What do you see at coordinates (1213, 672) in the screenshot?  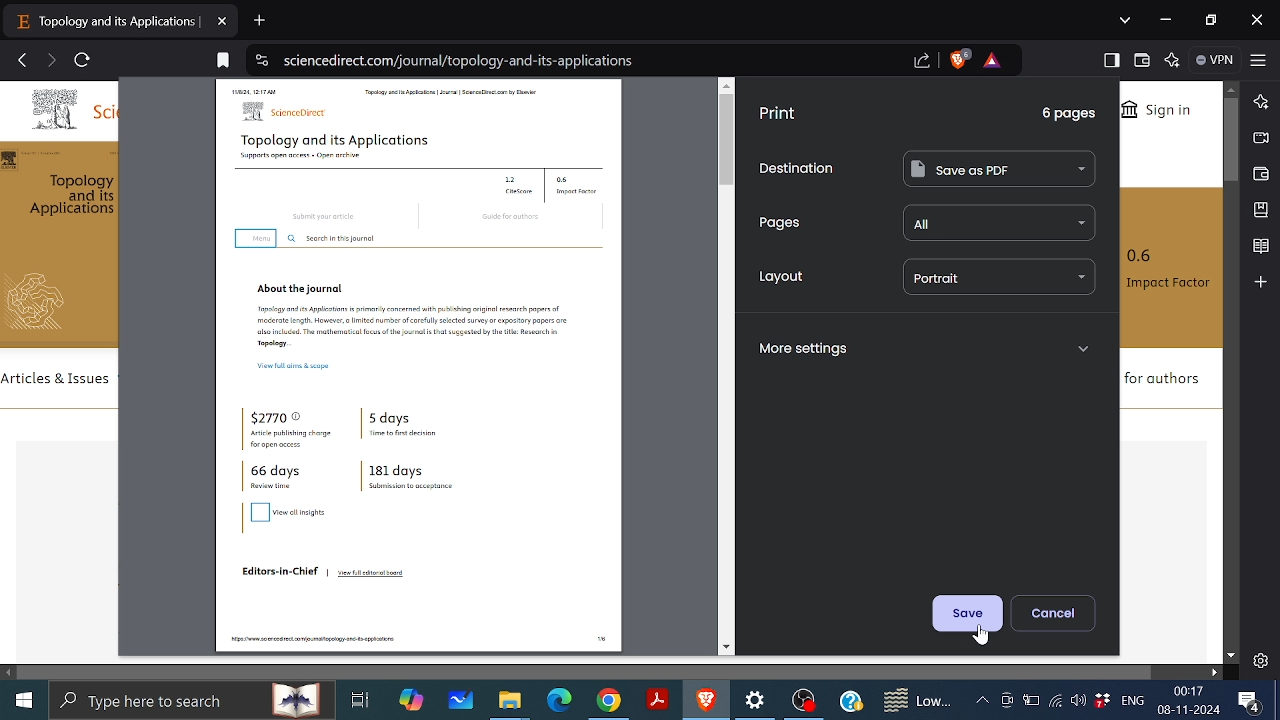 I see `Move right` at bounding box center [1213, 672].